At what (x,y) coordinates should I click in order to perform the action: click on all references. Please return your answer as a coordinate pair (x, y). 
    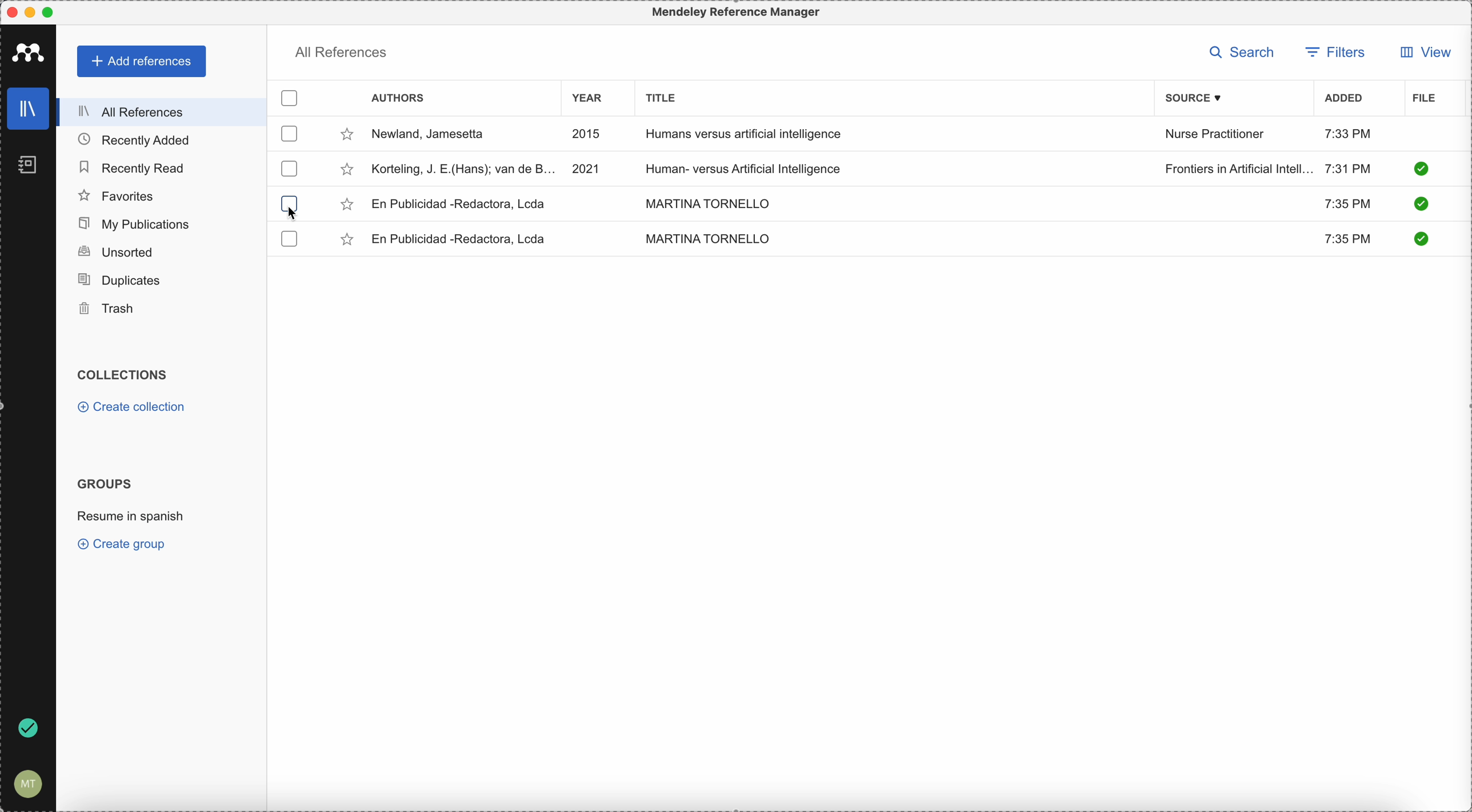
    Looking at the image, I should click on (158, 112).